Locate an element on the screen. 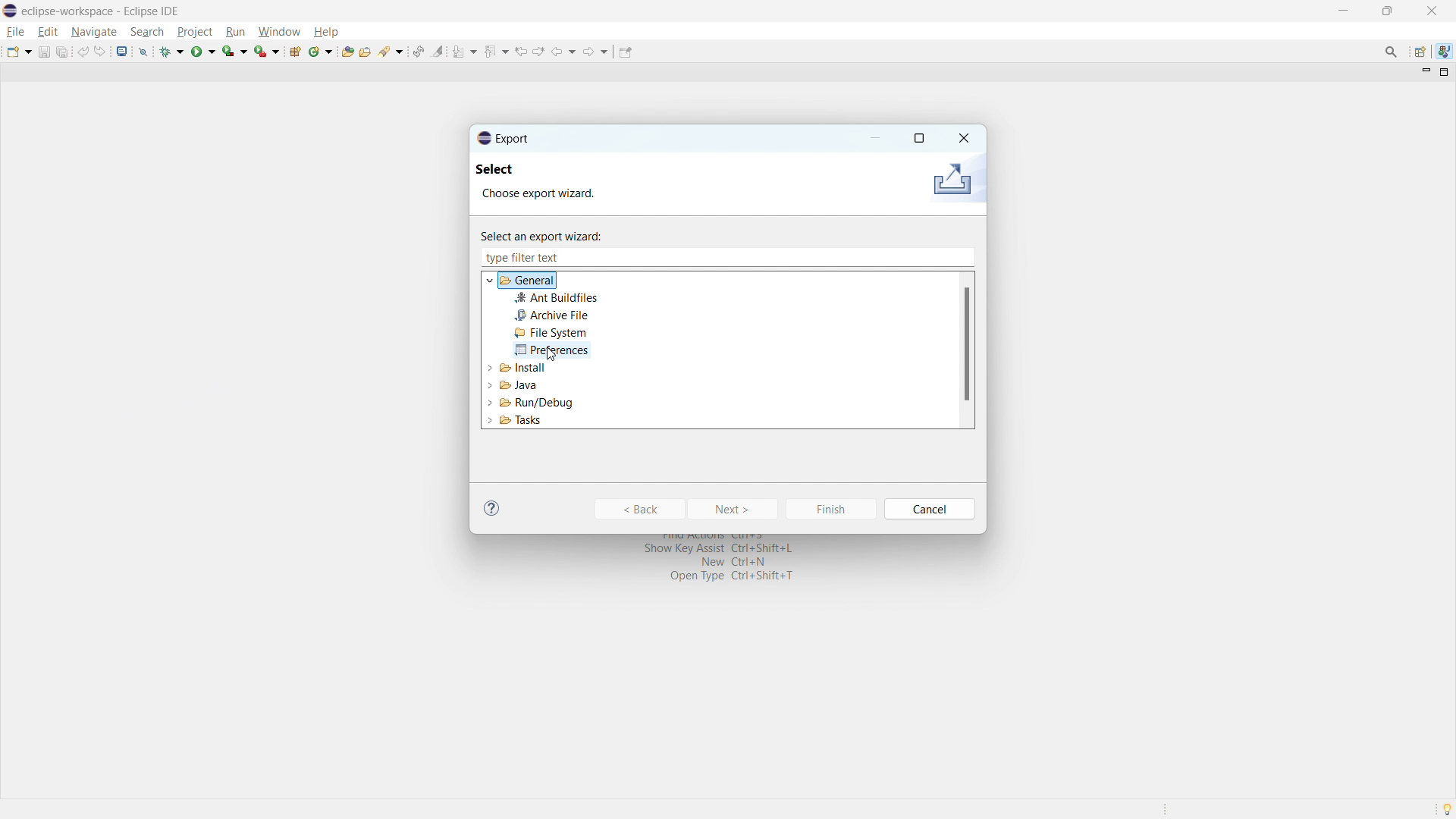  next is located at coordinates (734, 509).